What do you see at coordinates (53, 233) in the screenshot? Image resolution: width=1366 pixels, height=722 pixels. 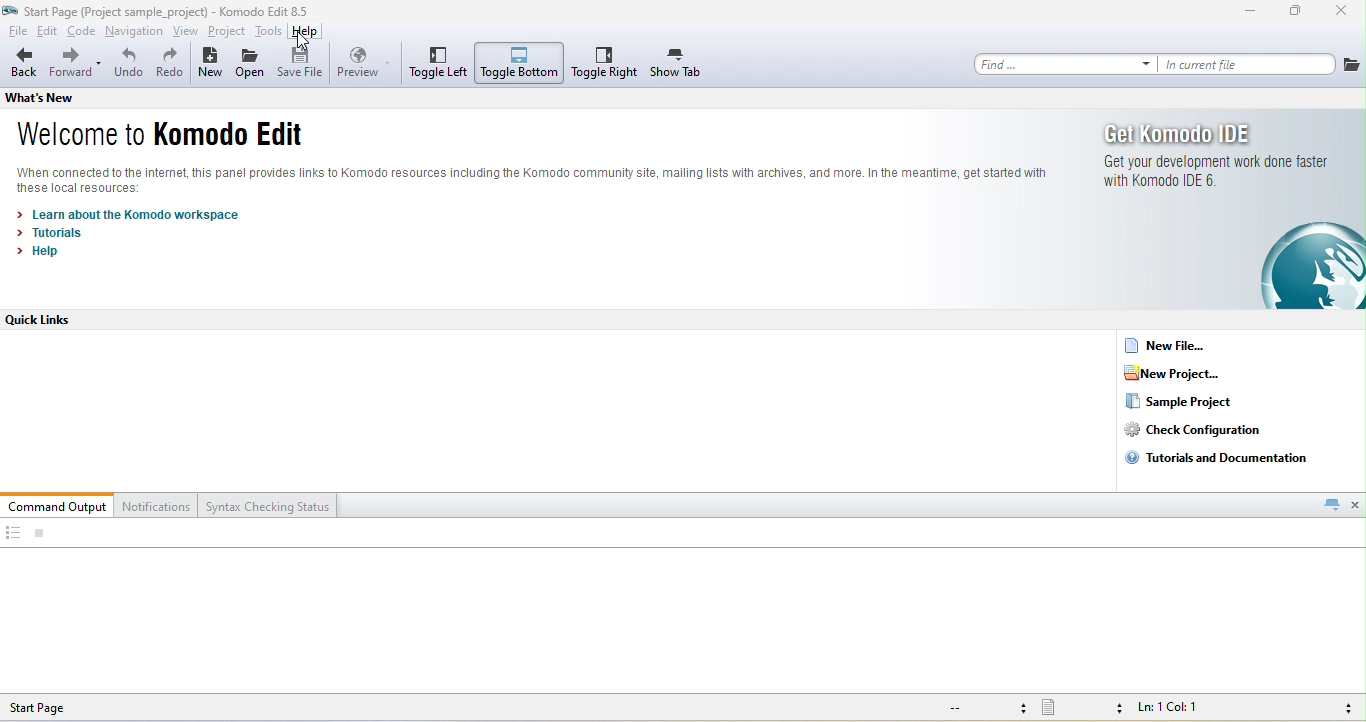 I see `tutorials` at bounding box center [53, 233].